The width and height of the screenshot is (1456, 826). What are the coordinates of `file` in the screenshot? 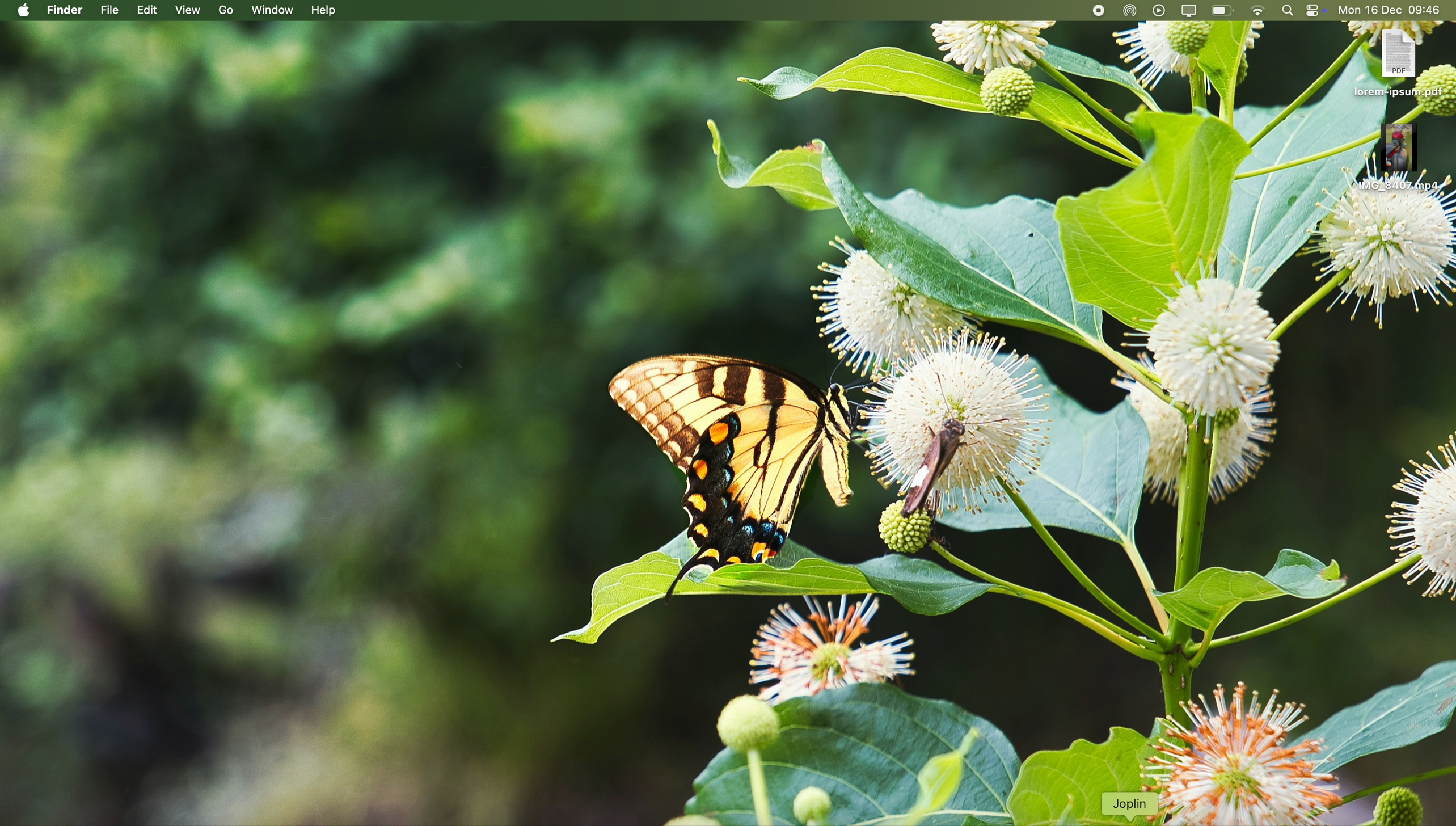 It's located at (1402, 62).